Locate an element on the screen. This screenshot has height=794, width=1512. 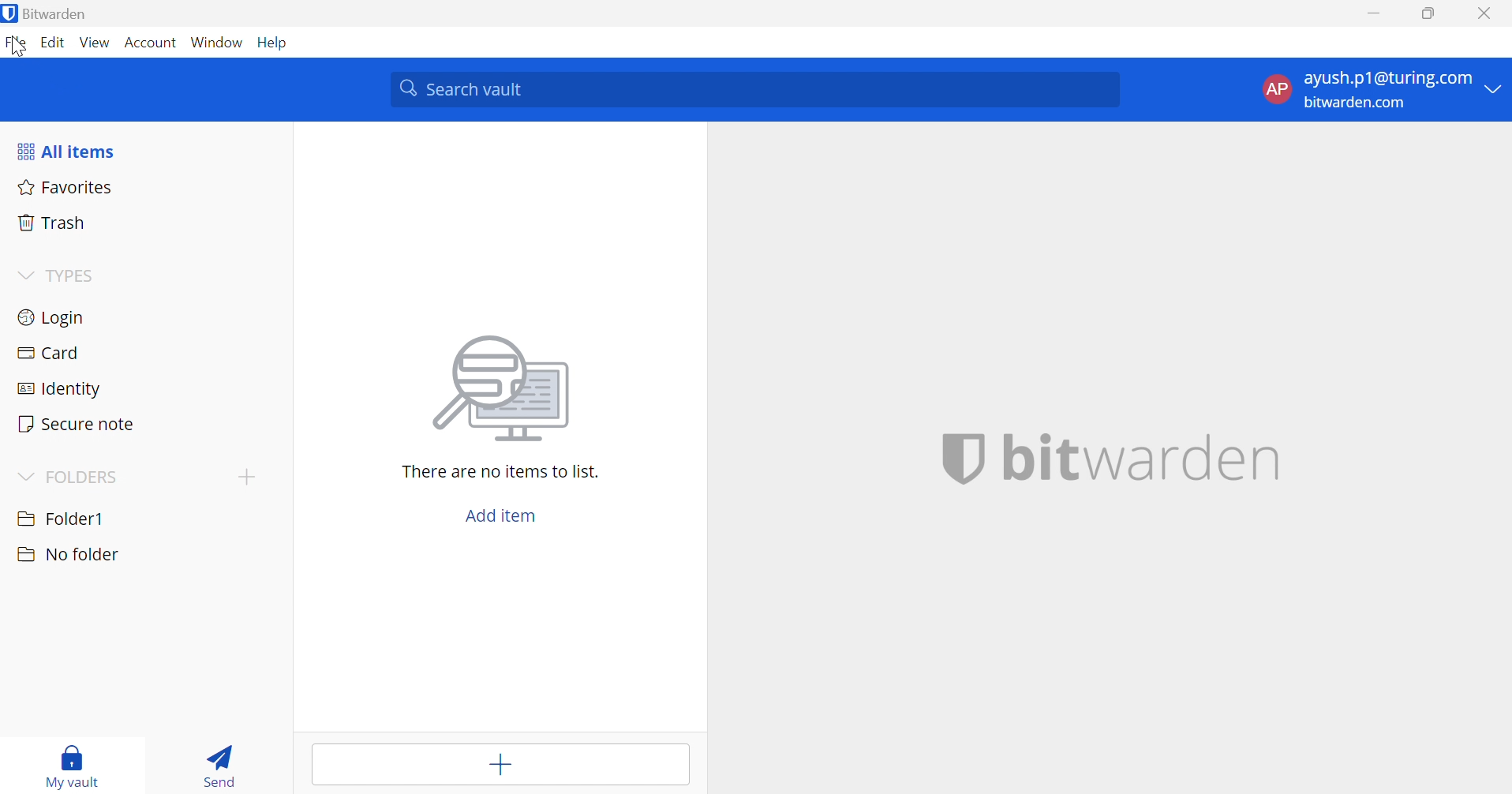
Identity is located at coordinates (60, 388).